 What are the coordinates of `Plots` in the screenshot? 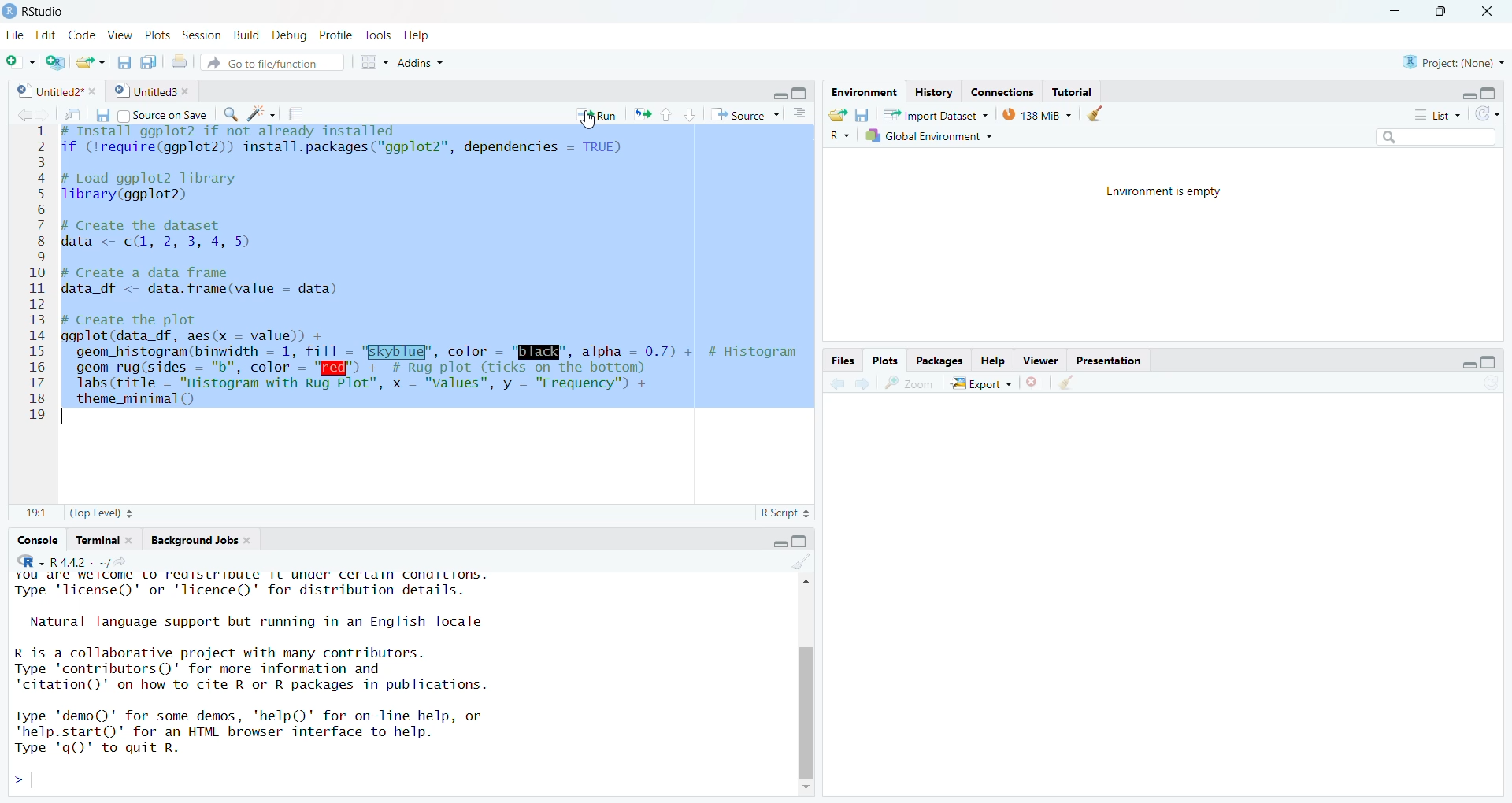 It's located at (877, 362).